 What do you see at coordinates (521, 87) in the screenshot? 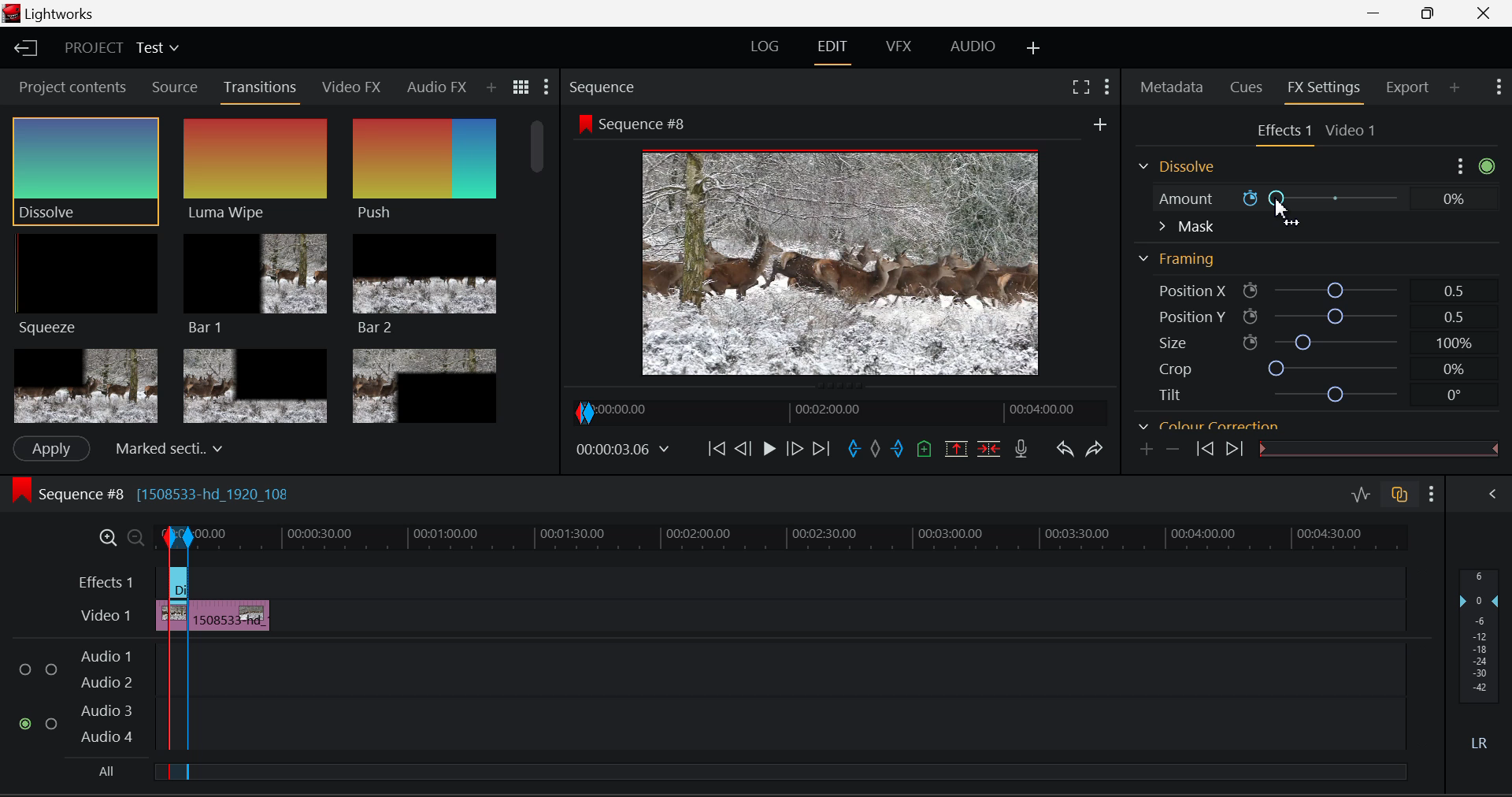
I see `Toggle between list and title view` at bounding box center [521, 87].